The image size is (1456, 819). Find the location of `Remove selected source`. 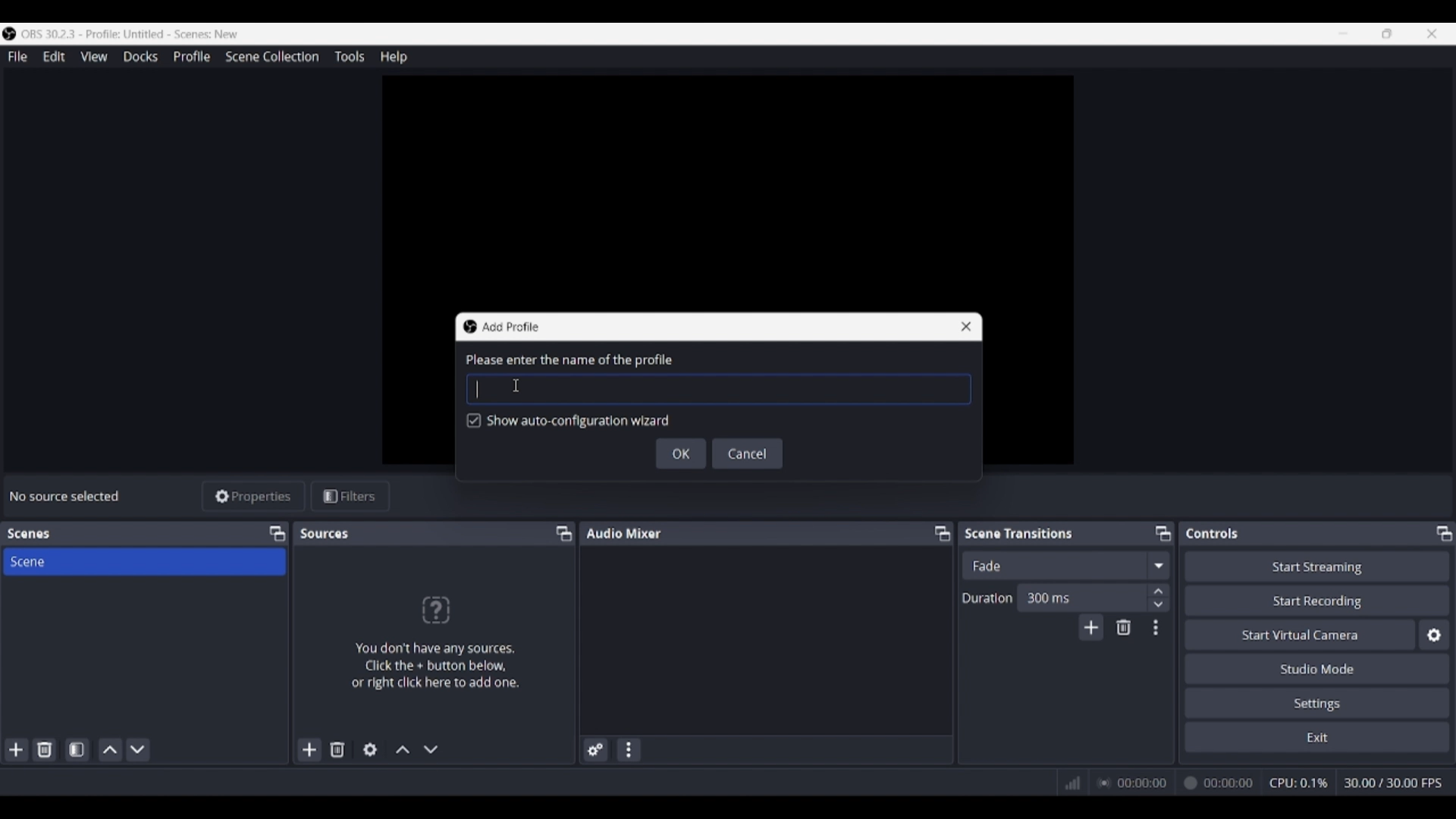

Remove selected source is located at coordinates (337, 749).